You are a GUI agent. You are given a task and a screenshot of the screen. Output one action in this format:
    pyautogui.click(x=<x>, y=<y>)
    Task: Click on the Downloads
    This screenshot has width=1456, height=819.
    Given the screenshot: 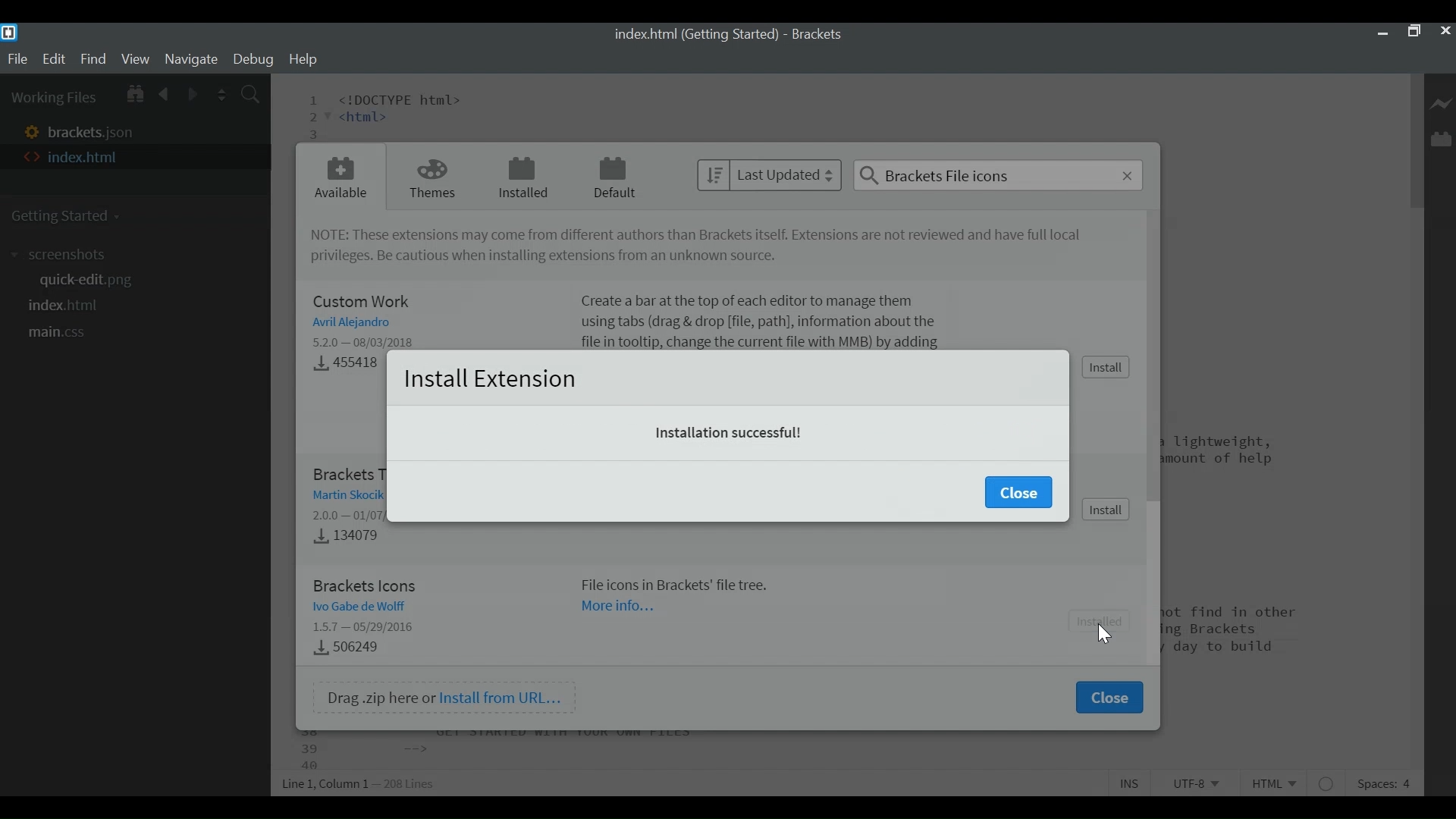 What is the action you would take?
    pyautogui.click(x=342, y=364)
    